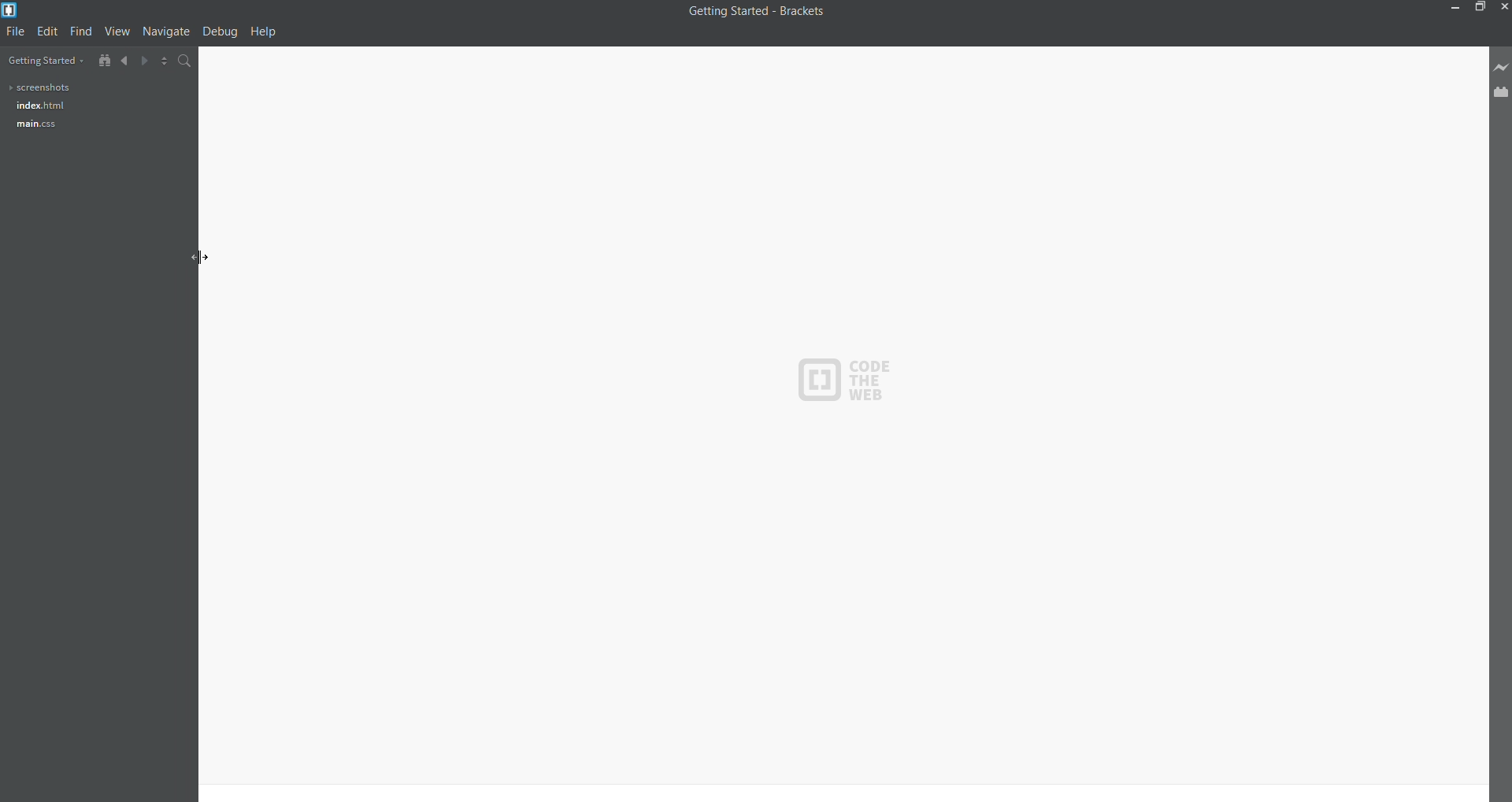 This screenshot has width=1512, height=802. I want to click on find, so click(79, 31).